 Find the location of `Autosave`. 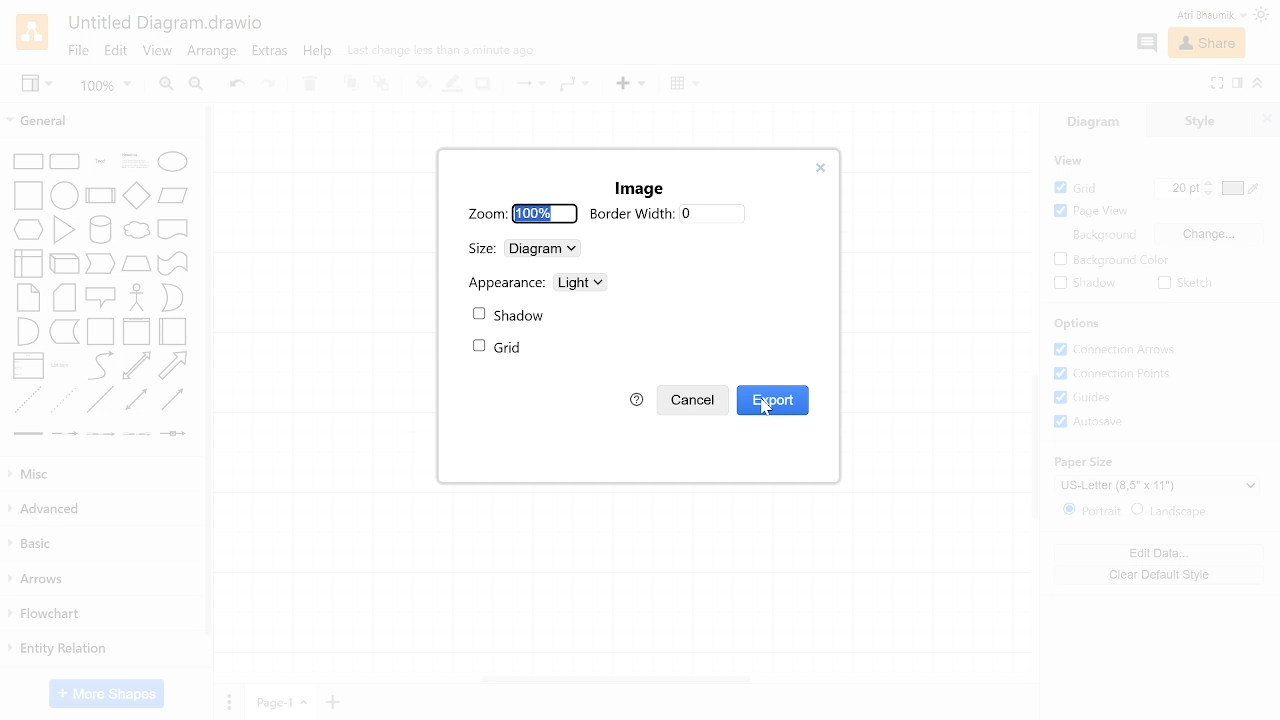

Autosave is located at coordinates (1122, 423).